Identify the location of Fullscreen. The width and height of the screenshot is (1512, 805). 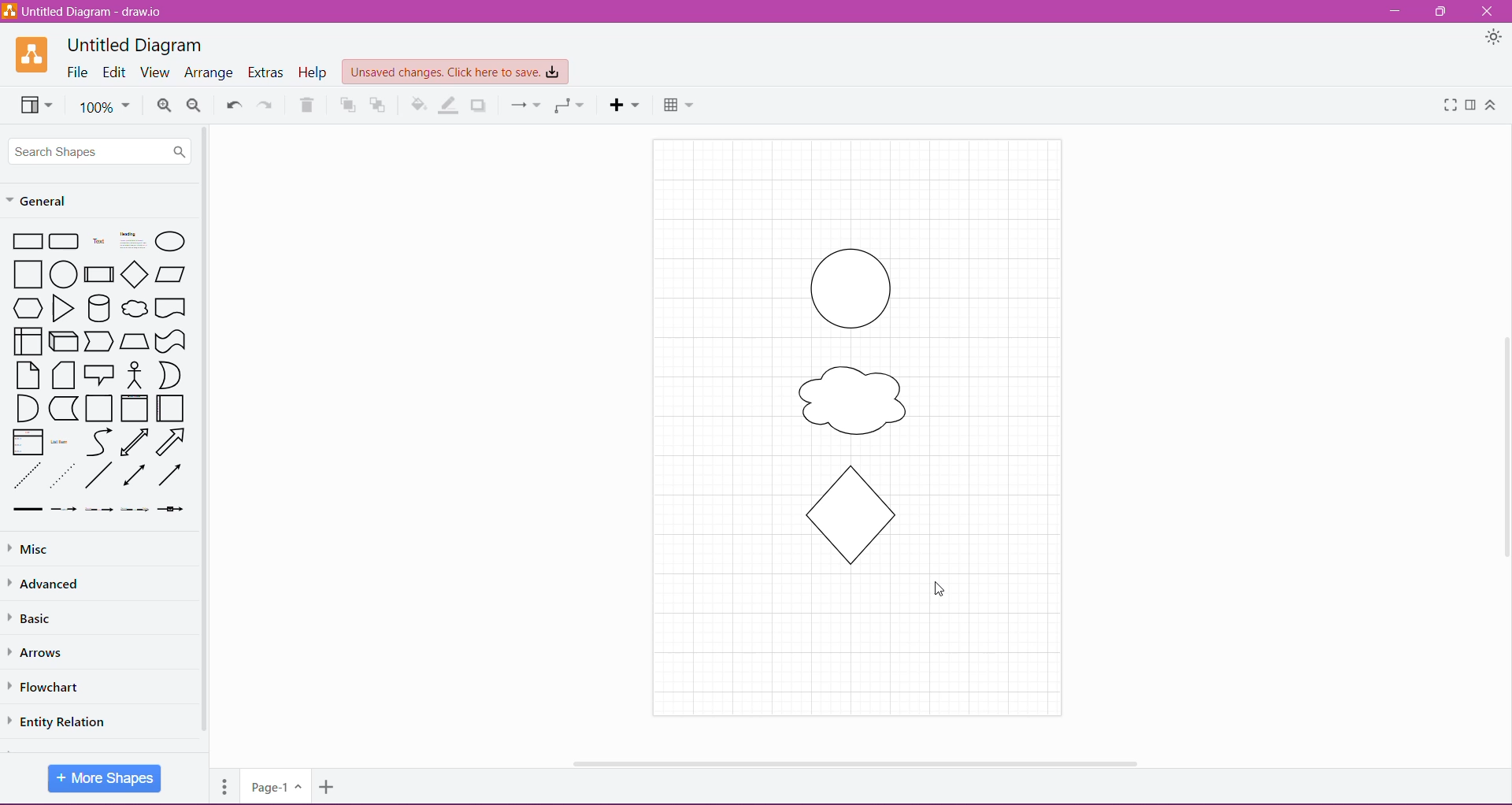
(1446, 106).